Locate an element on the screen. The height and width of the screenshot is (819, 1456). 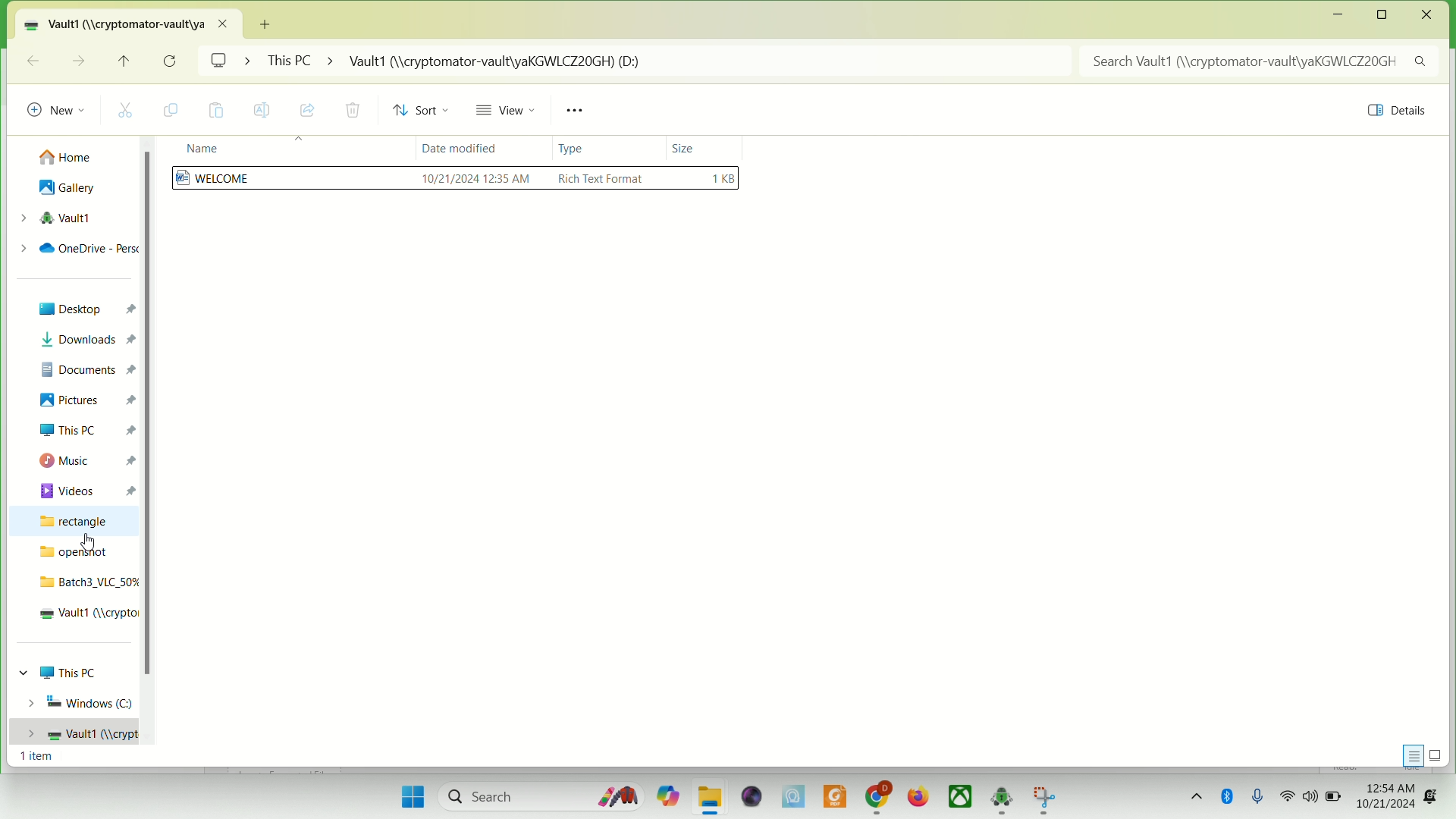
paste is located at coordinates (217, 111).